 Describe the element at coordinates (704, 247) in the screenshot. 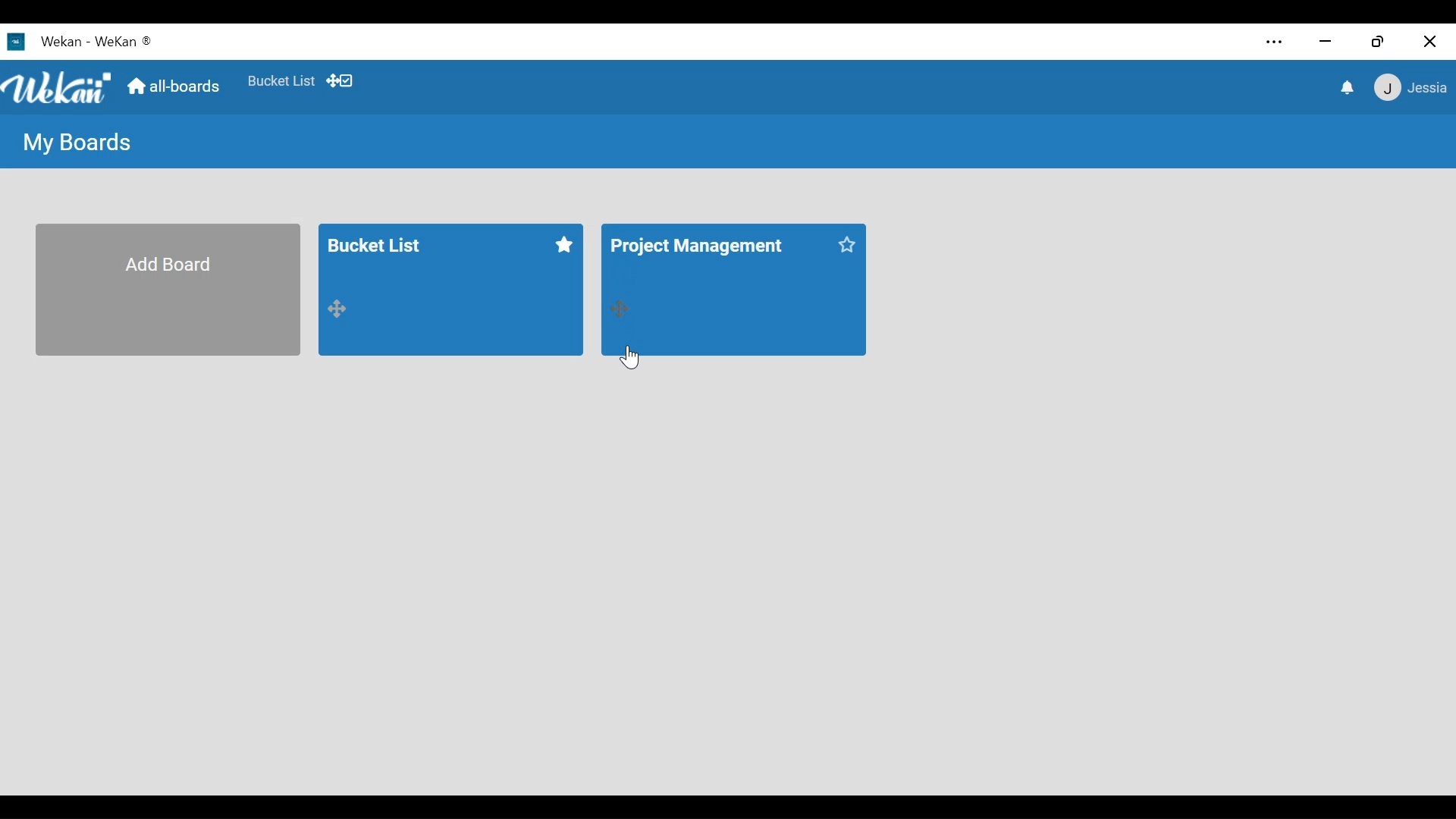

I see `Board title` at that location.